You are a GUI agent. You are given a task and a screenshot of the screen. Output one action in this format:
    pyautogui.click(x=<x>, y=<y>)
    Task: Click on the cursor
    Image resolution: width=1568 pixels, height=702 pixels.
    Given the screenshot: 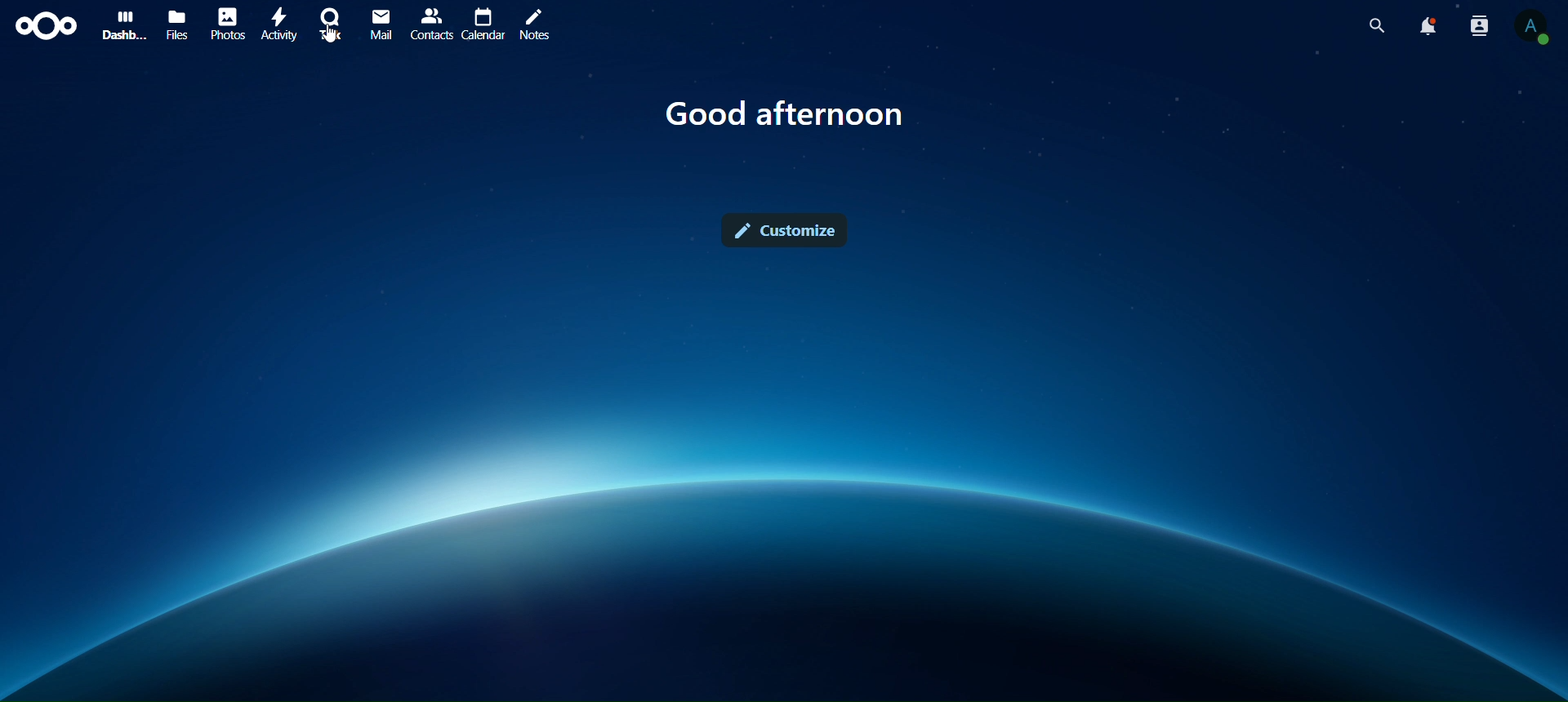 What is the action you would take?
    pyautogui.click(x=332, y=37)
    